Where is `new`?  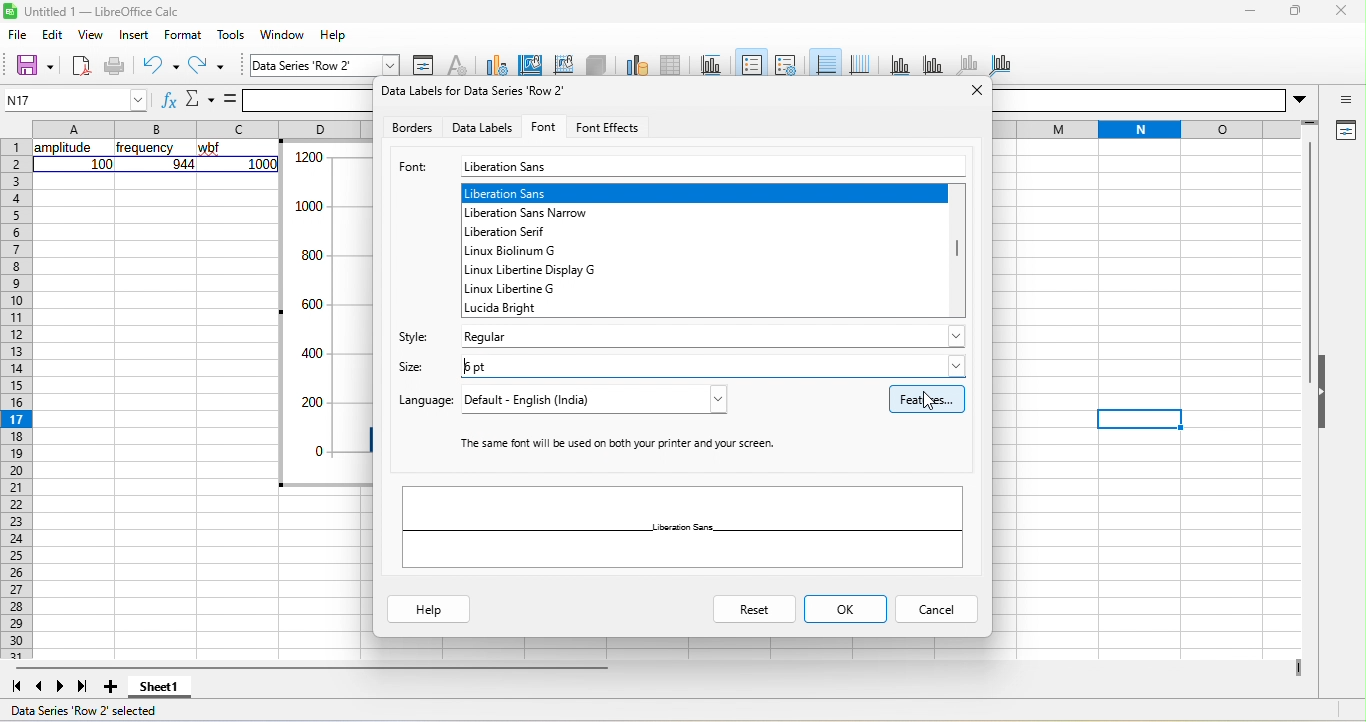 new is located at coordinates (80, 65).